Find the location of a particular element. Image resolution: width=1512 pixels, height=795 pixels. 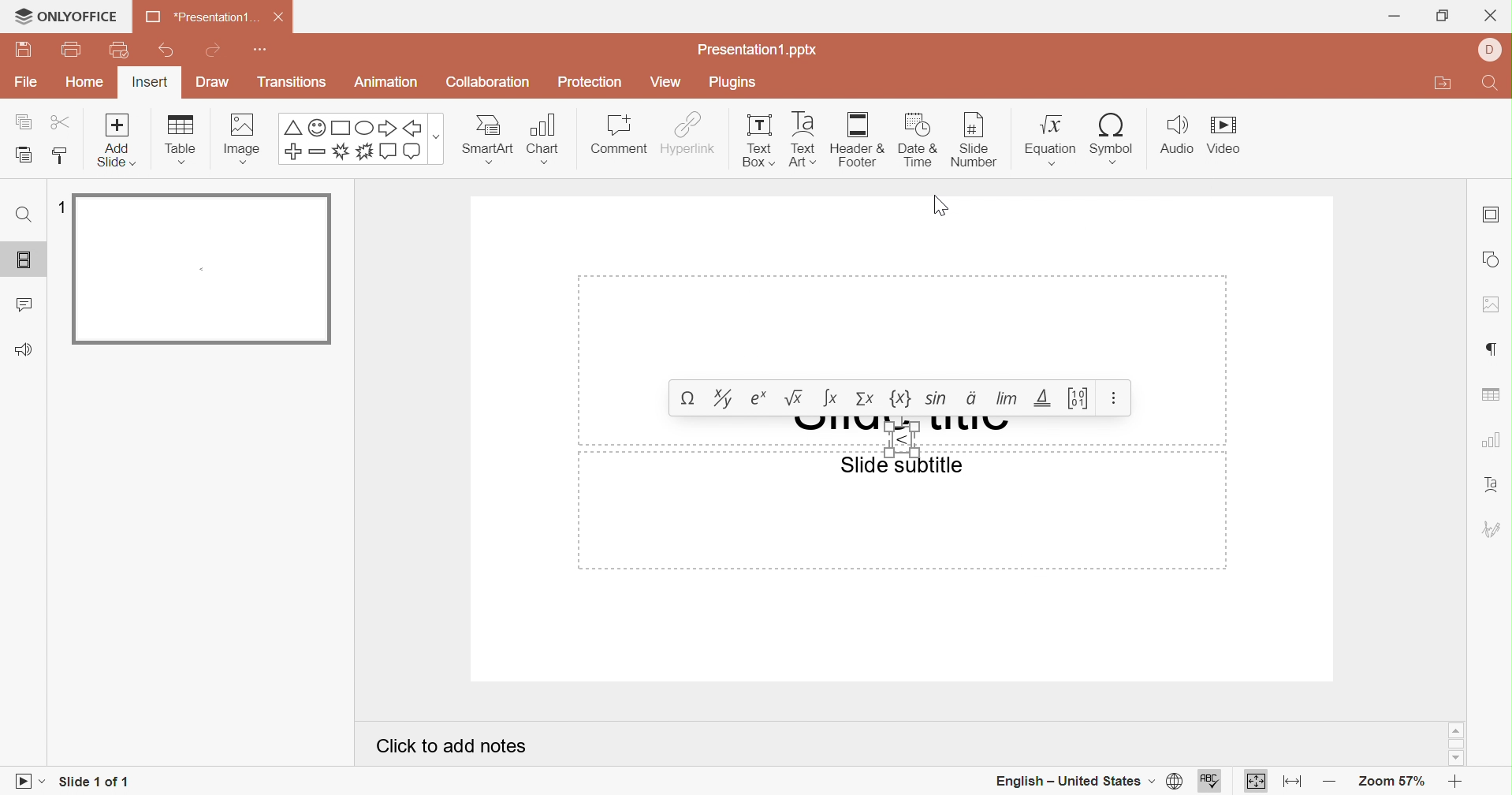

Signature settings is located at coordinates (1490, 528).